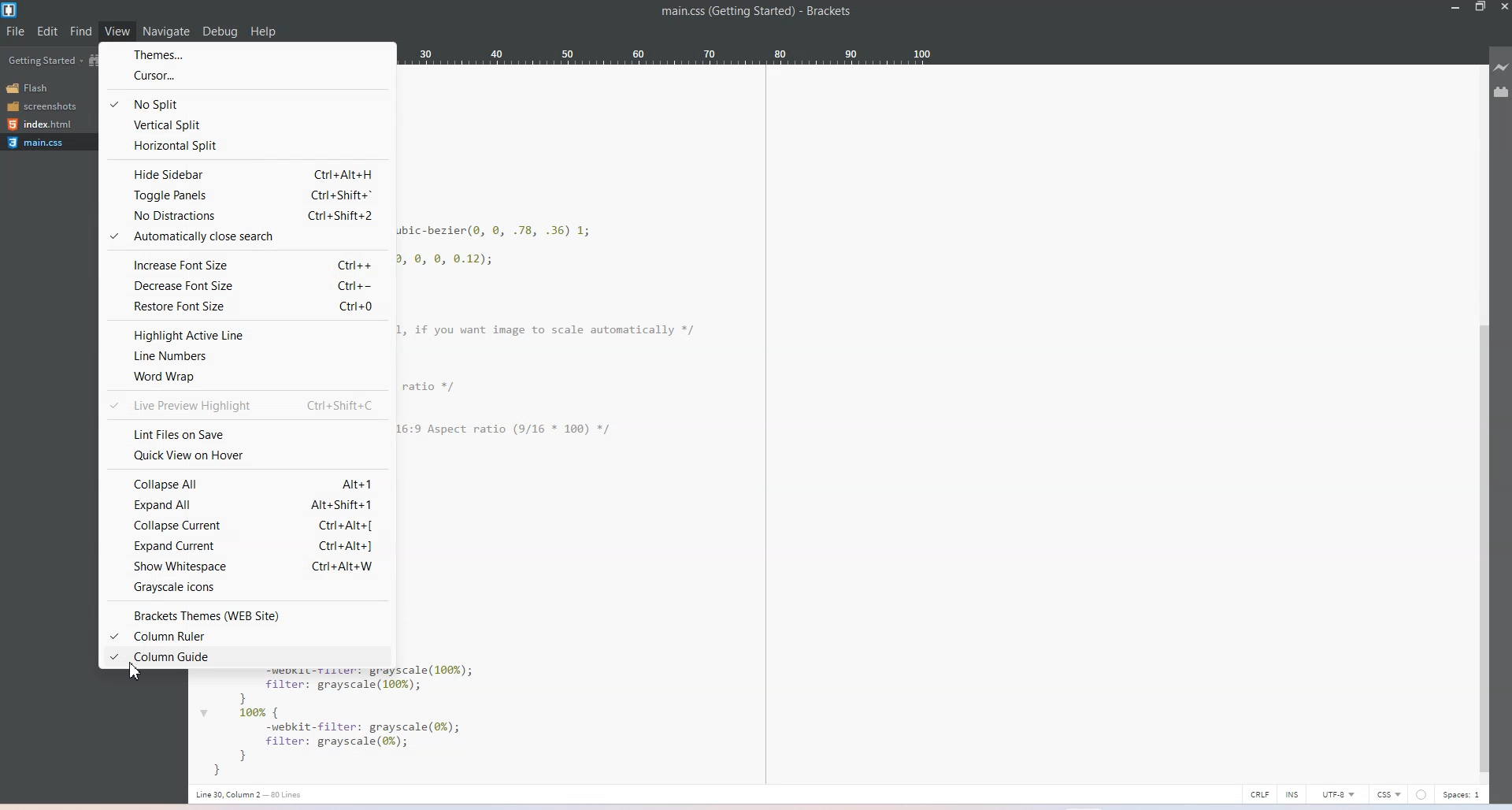 This screenshot has width=1512, height=810. I want to click on File, so click(15, 32).